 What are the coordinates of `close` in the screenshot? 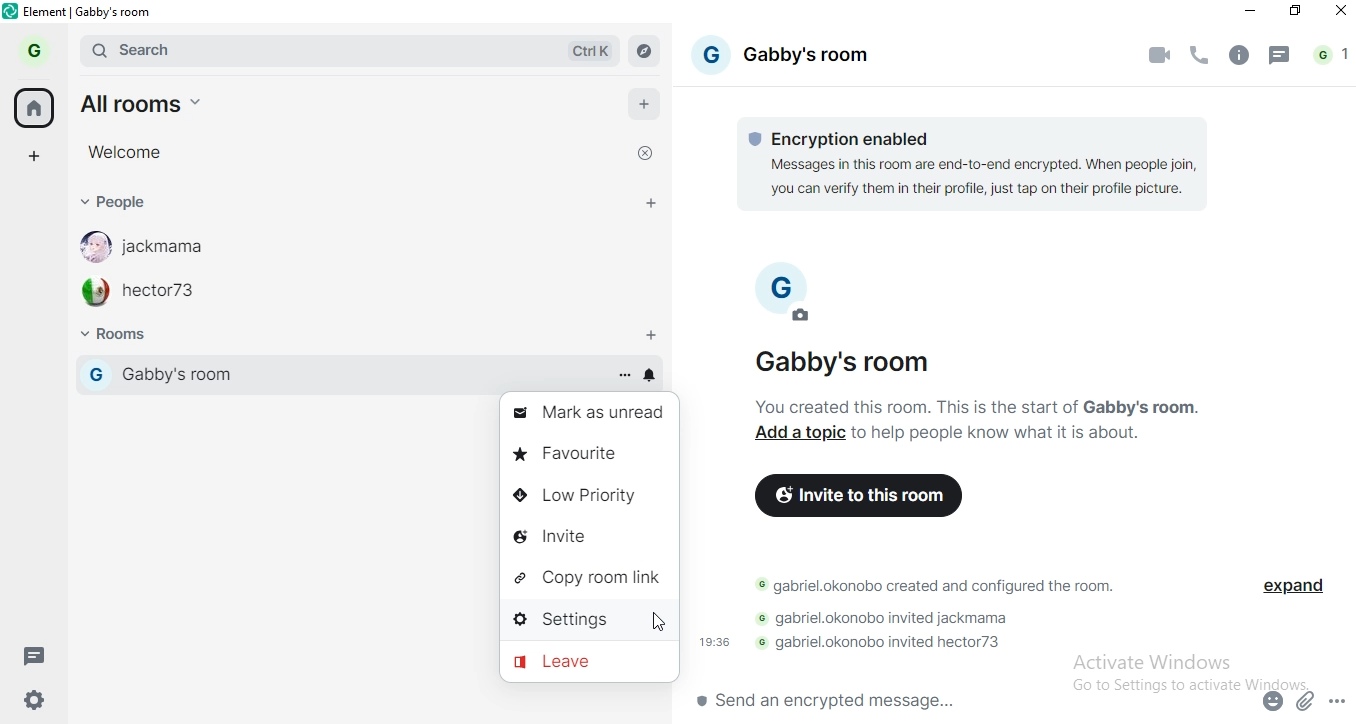 It's located at (1337, 15).